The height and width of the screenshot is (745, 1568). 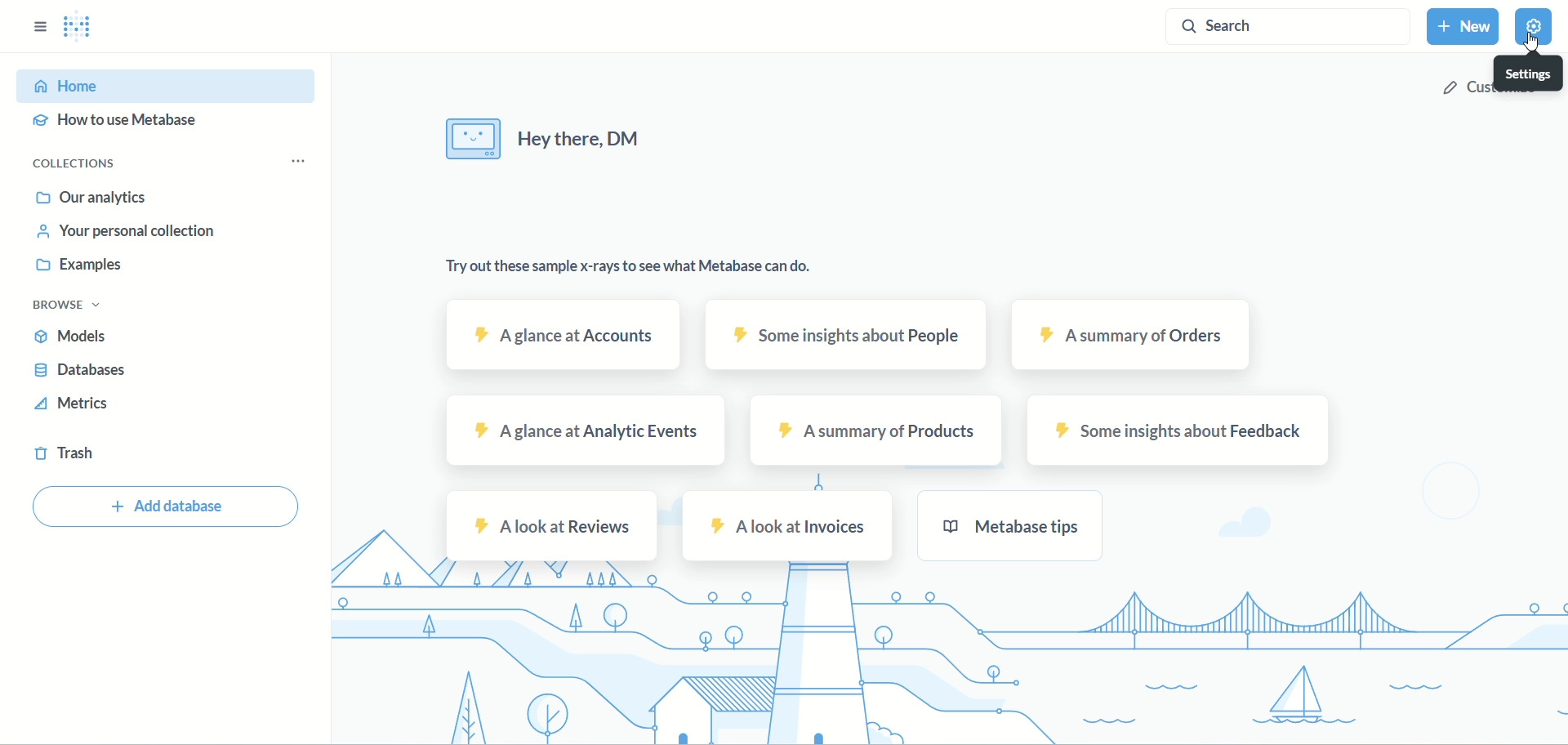 I want to click on events, so click(x=587, y=430).